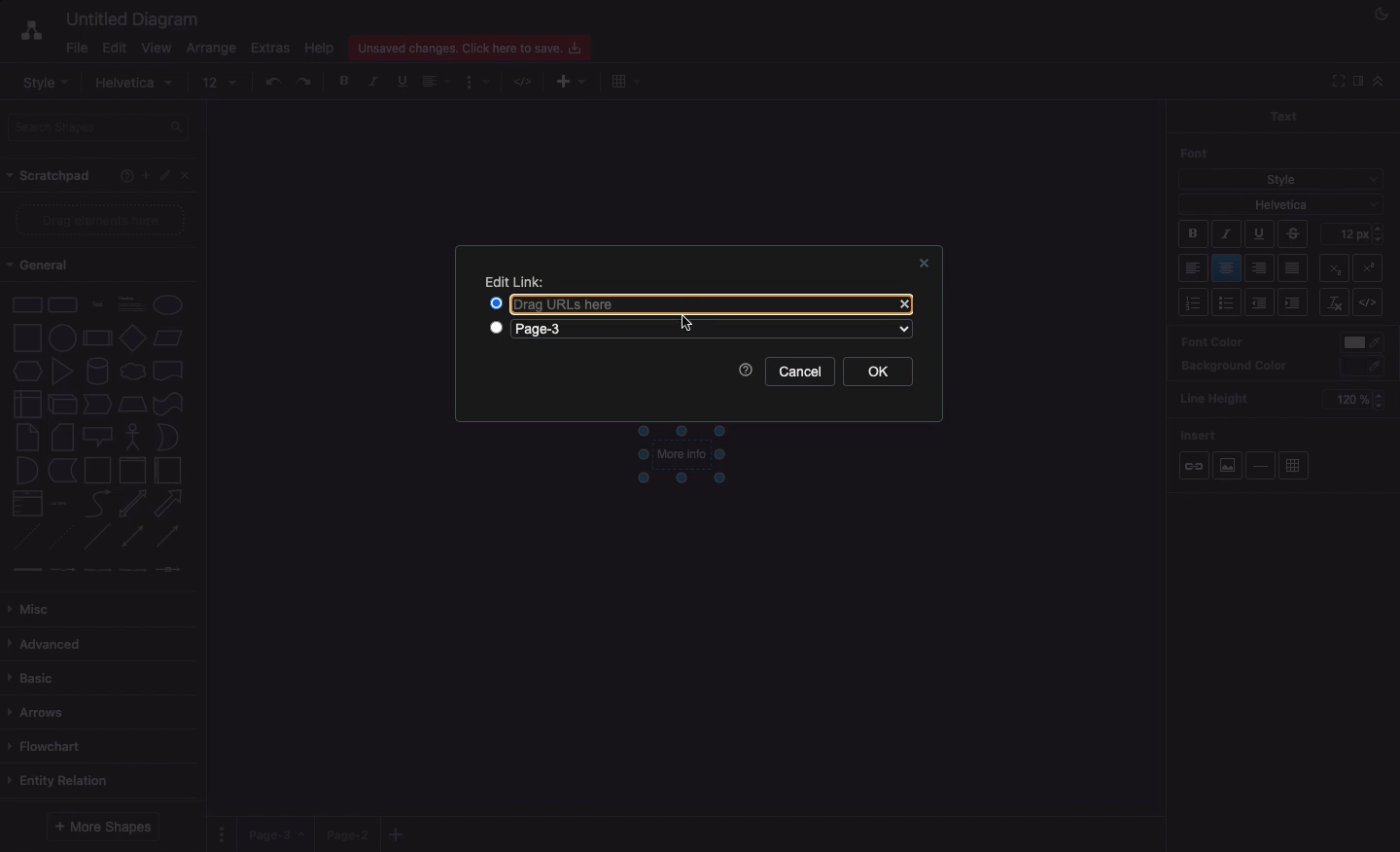 The image size is (1400, 852). What do you see at coordinates (97, 404) in the screenshot?
I see `step` at bounding box center [97, 404].